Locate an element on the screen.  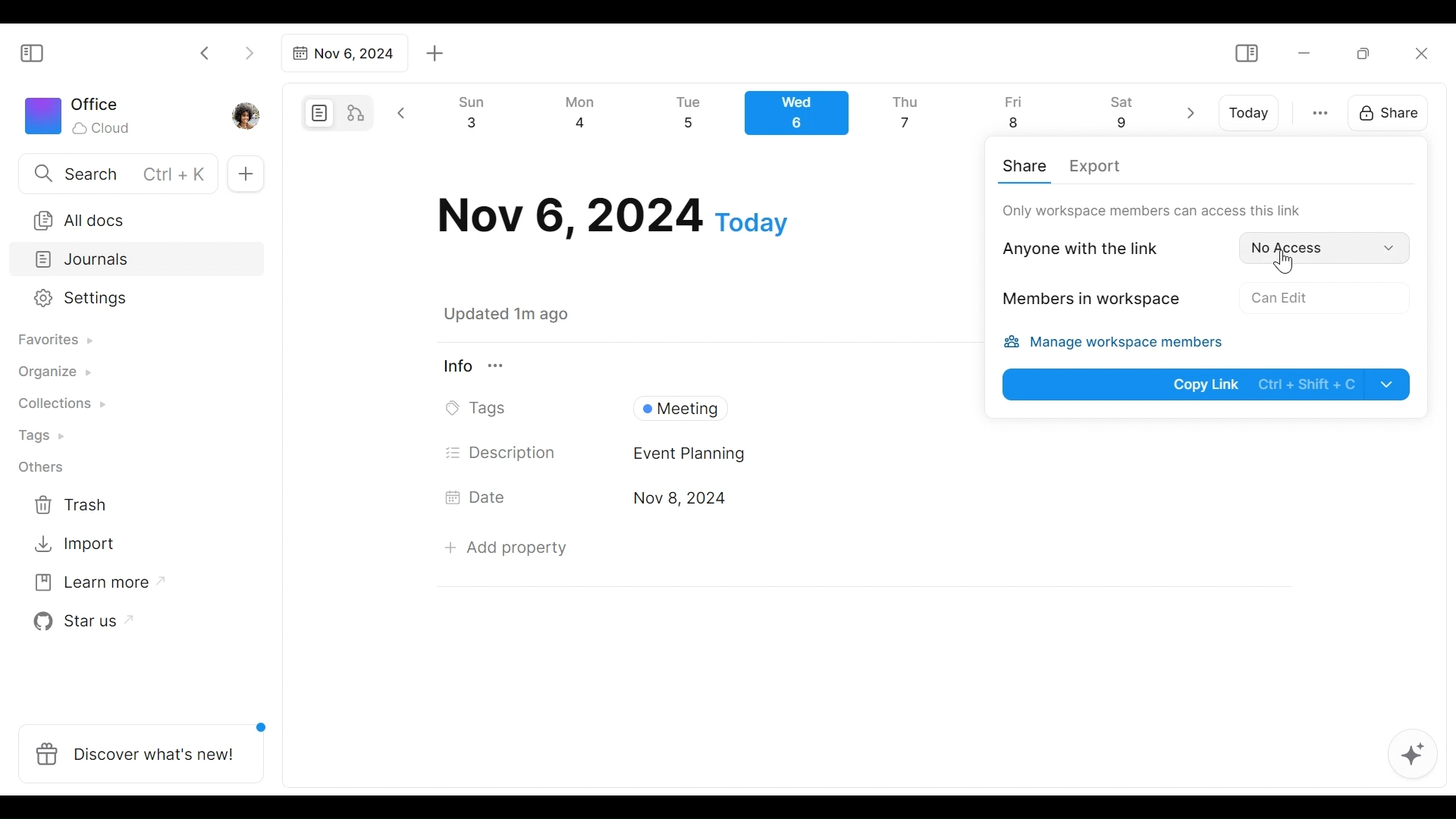
Share is located at coordinates (1384, 111).